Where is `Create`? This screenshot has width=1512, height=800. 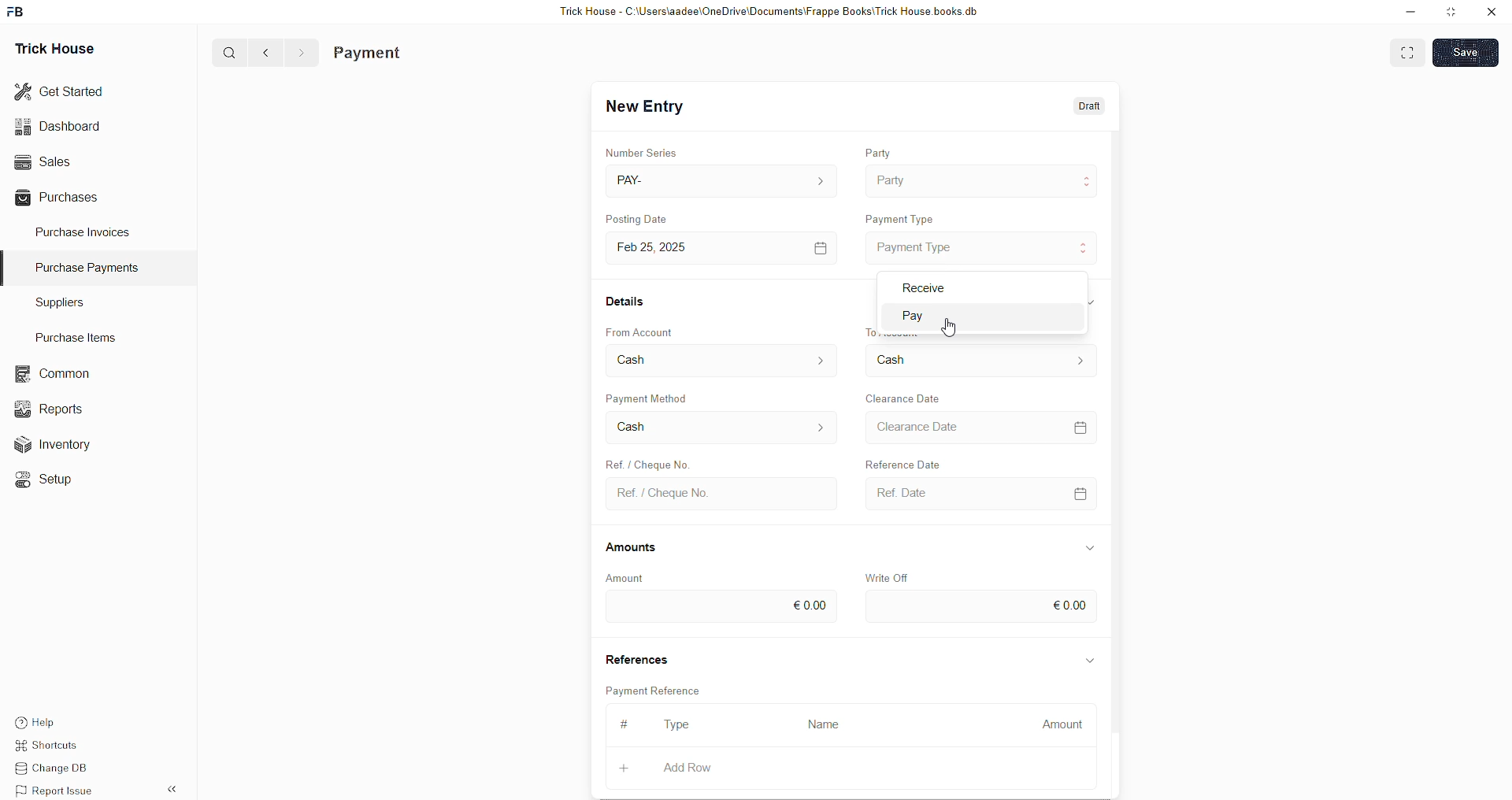
Create is located at coordinates (645, 461).